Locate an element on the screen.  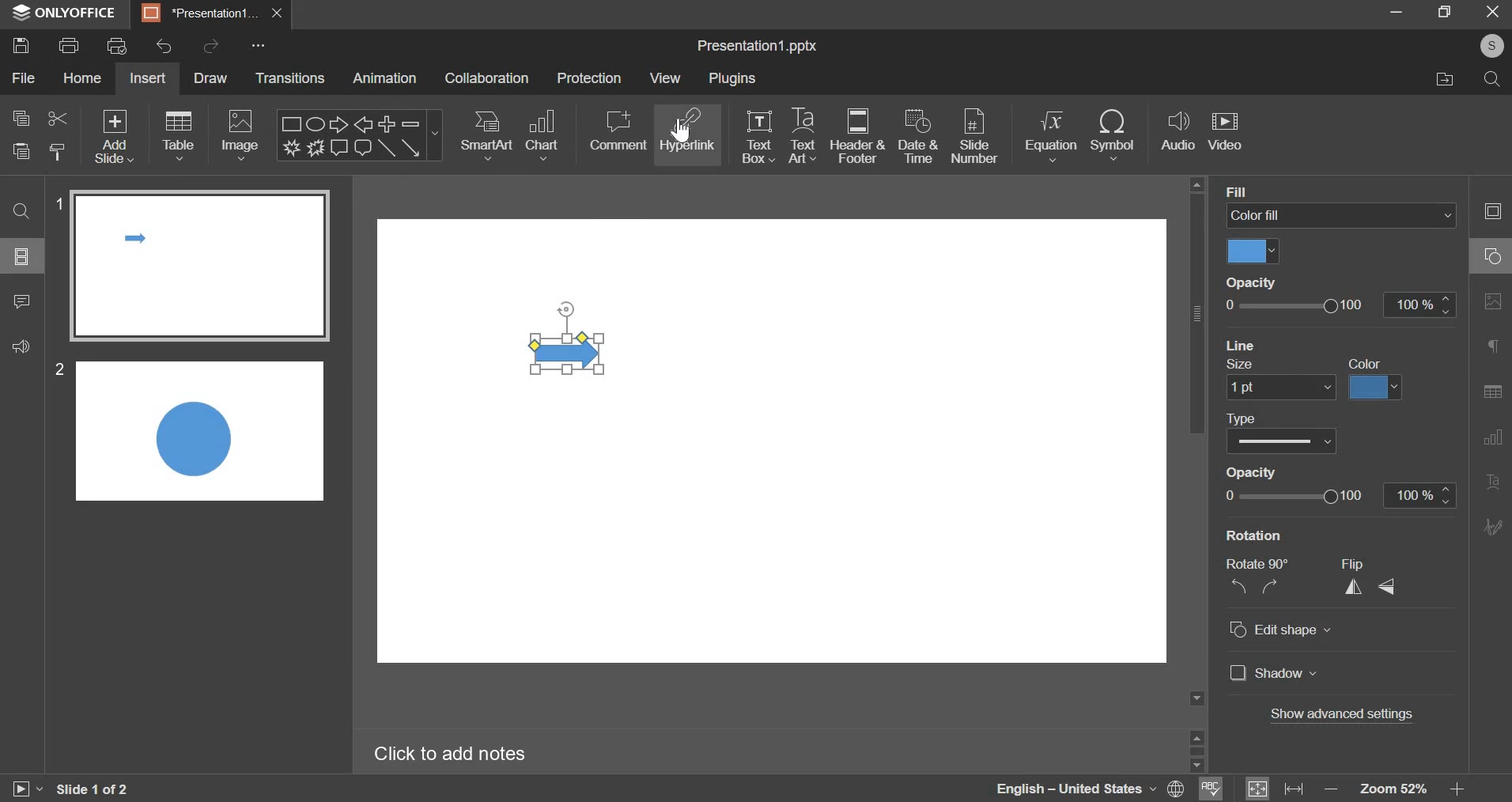
Size is located at coordinates (1242, 365).